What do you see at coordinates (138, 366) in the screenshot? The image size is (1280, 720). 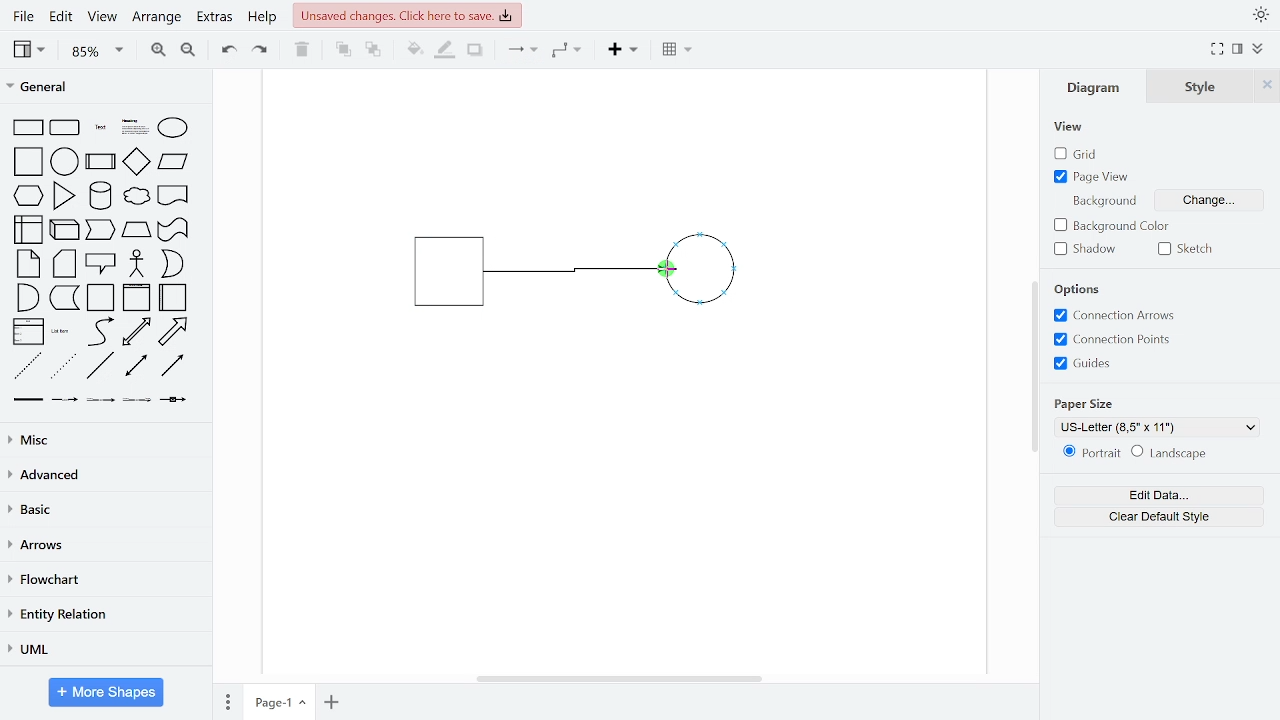 I see `bidirectional connector` at bounding box center [138, 366].